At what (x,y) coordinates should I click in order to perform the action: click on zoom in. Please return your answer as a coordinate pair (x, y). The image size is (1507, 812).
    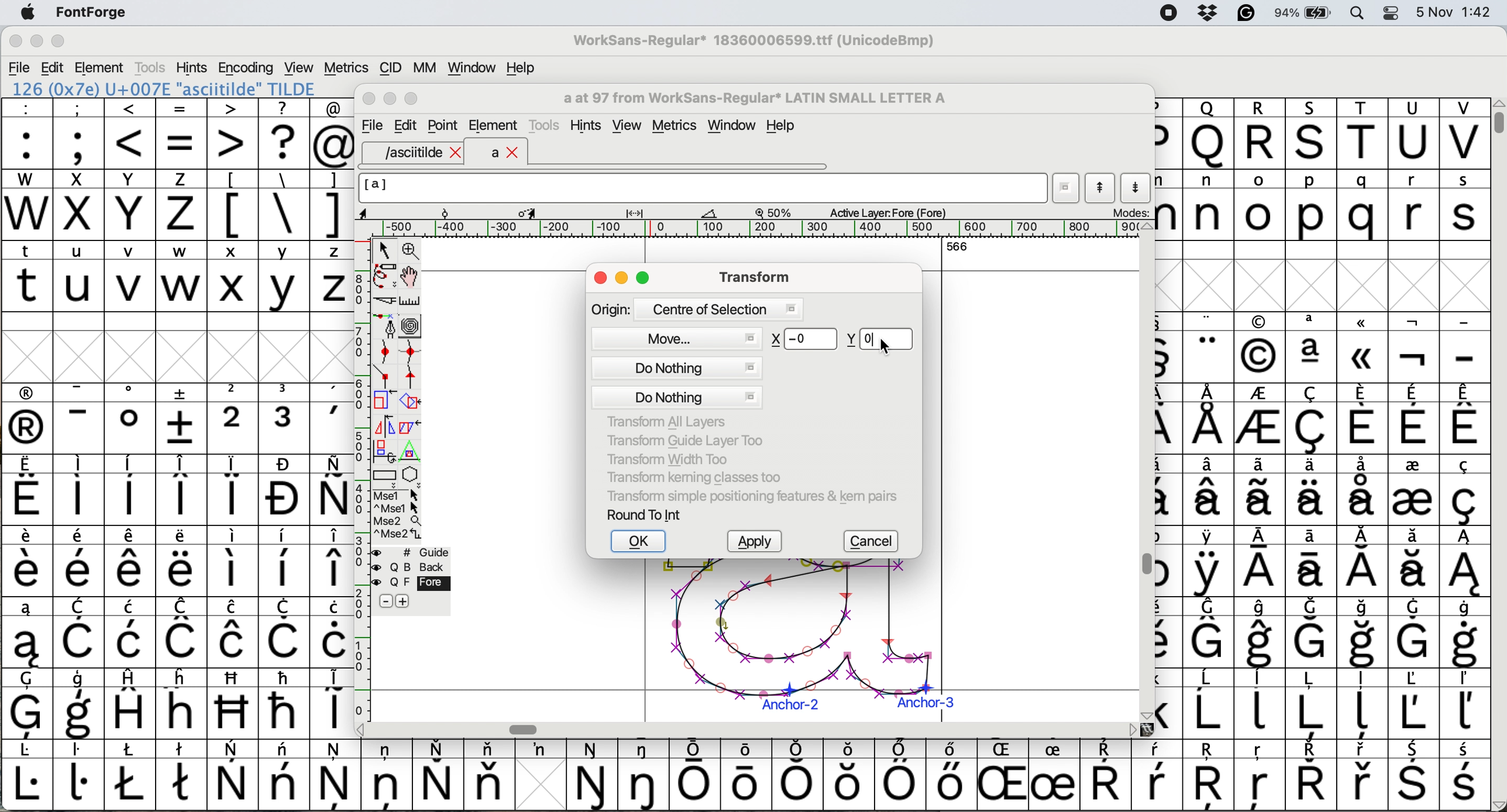
    Looking at the image, I should click on (413, 252).